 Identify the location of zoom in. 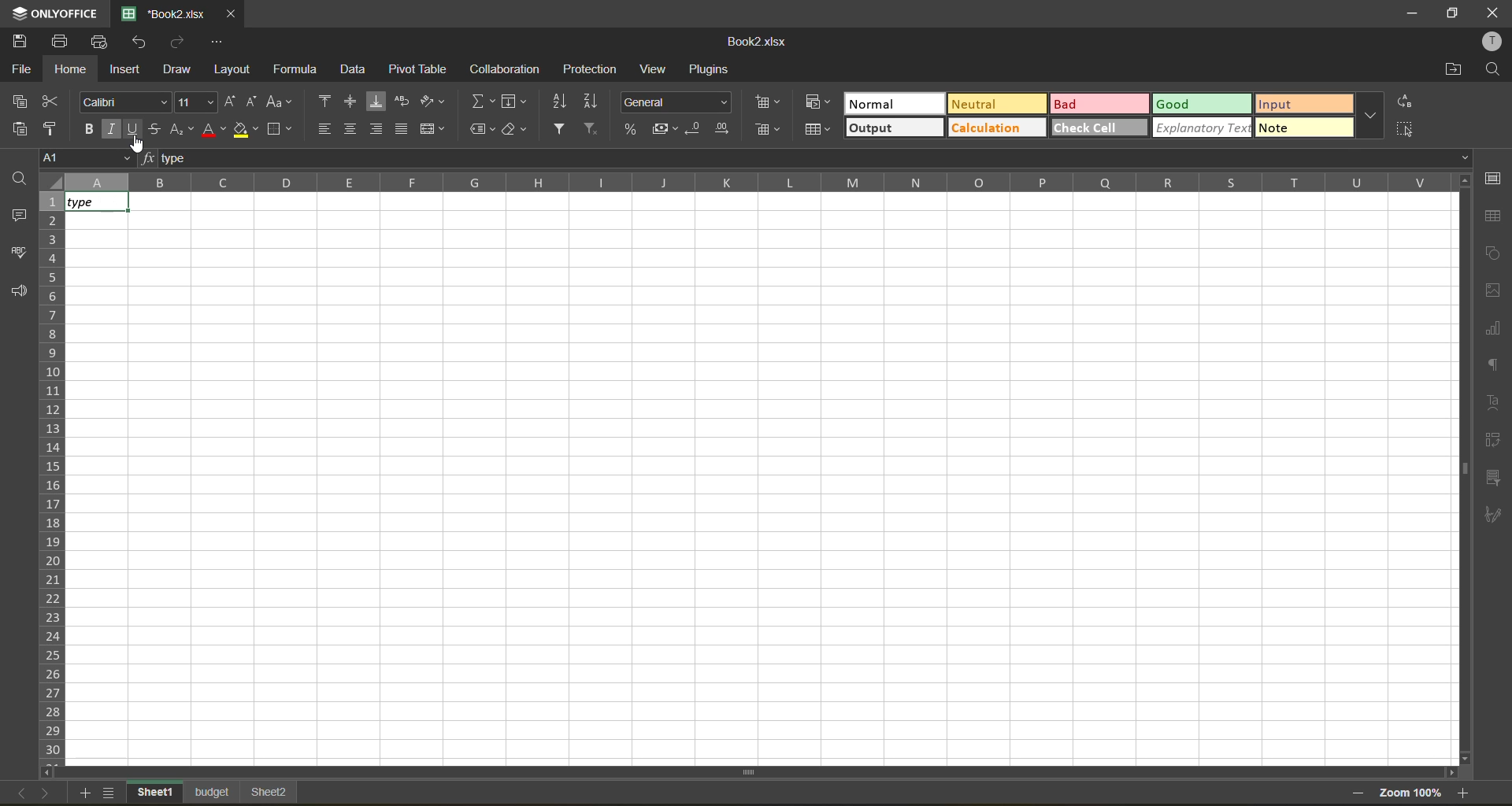
(1467, 793).